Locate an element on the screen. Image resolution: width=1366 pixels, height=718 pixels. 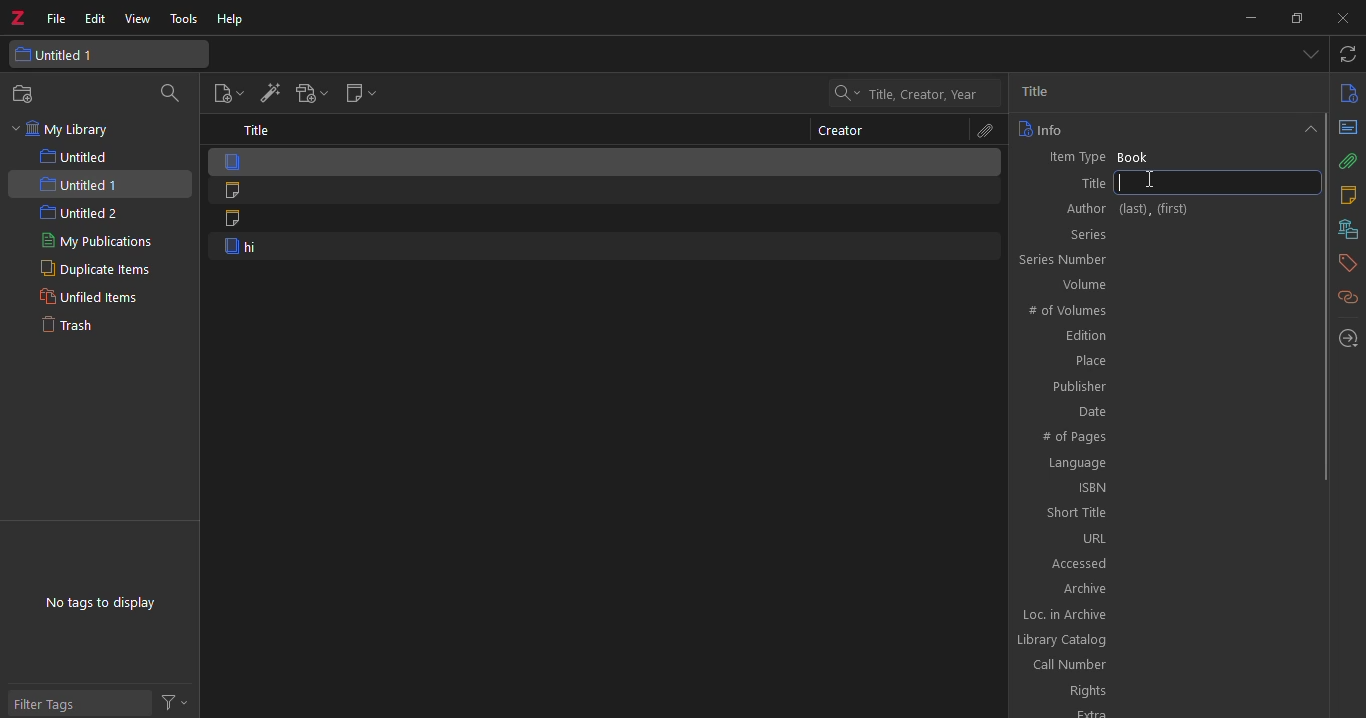
series is located at coordinates (1161, 233).